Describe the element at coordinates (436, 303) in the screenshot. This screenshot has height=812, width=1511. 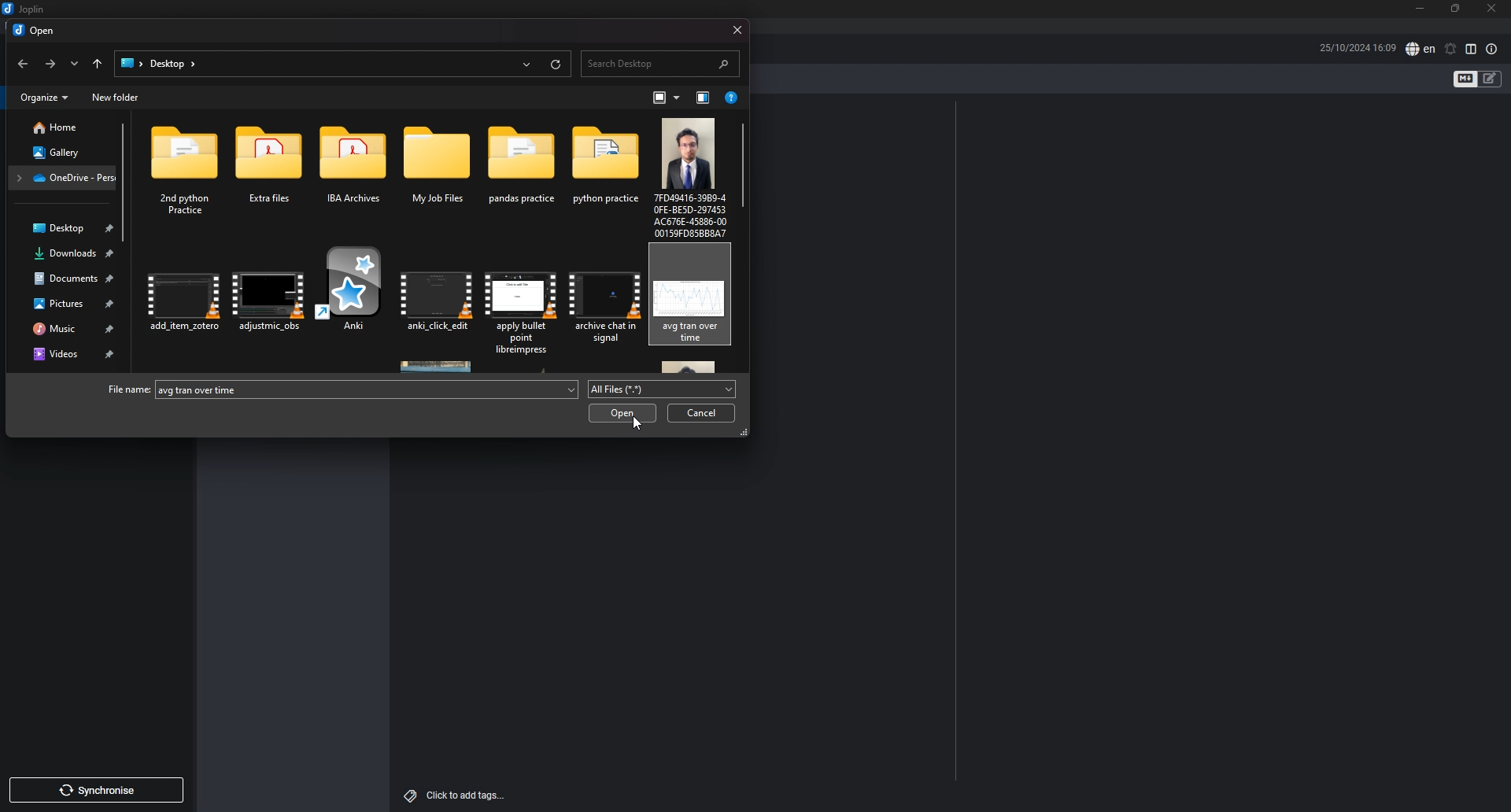
I see `anki_click_edit` at that location.